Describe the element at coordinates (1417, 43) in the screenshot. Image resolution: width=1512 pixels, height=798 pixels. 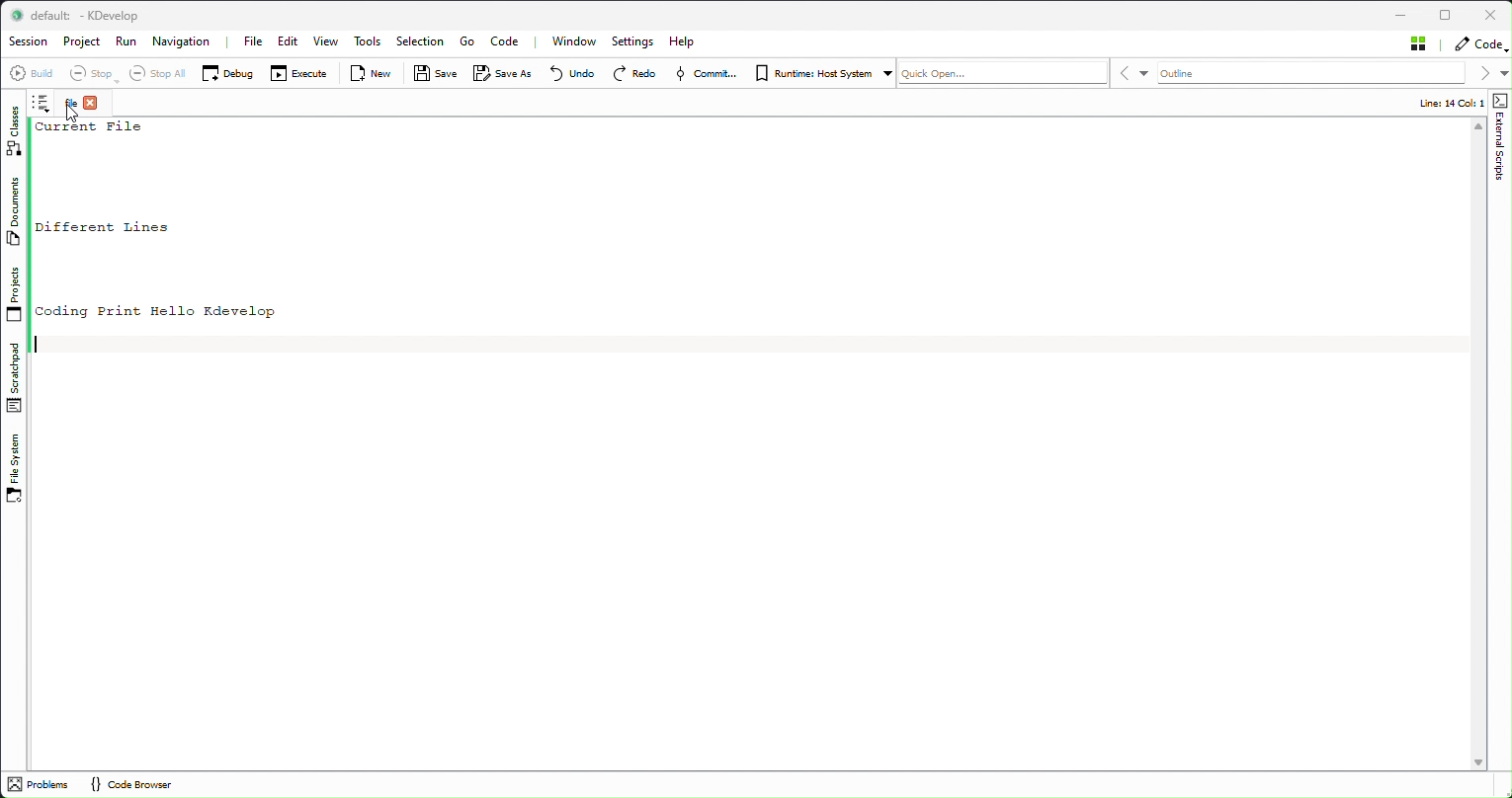
I see `Stash` at that location.